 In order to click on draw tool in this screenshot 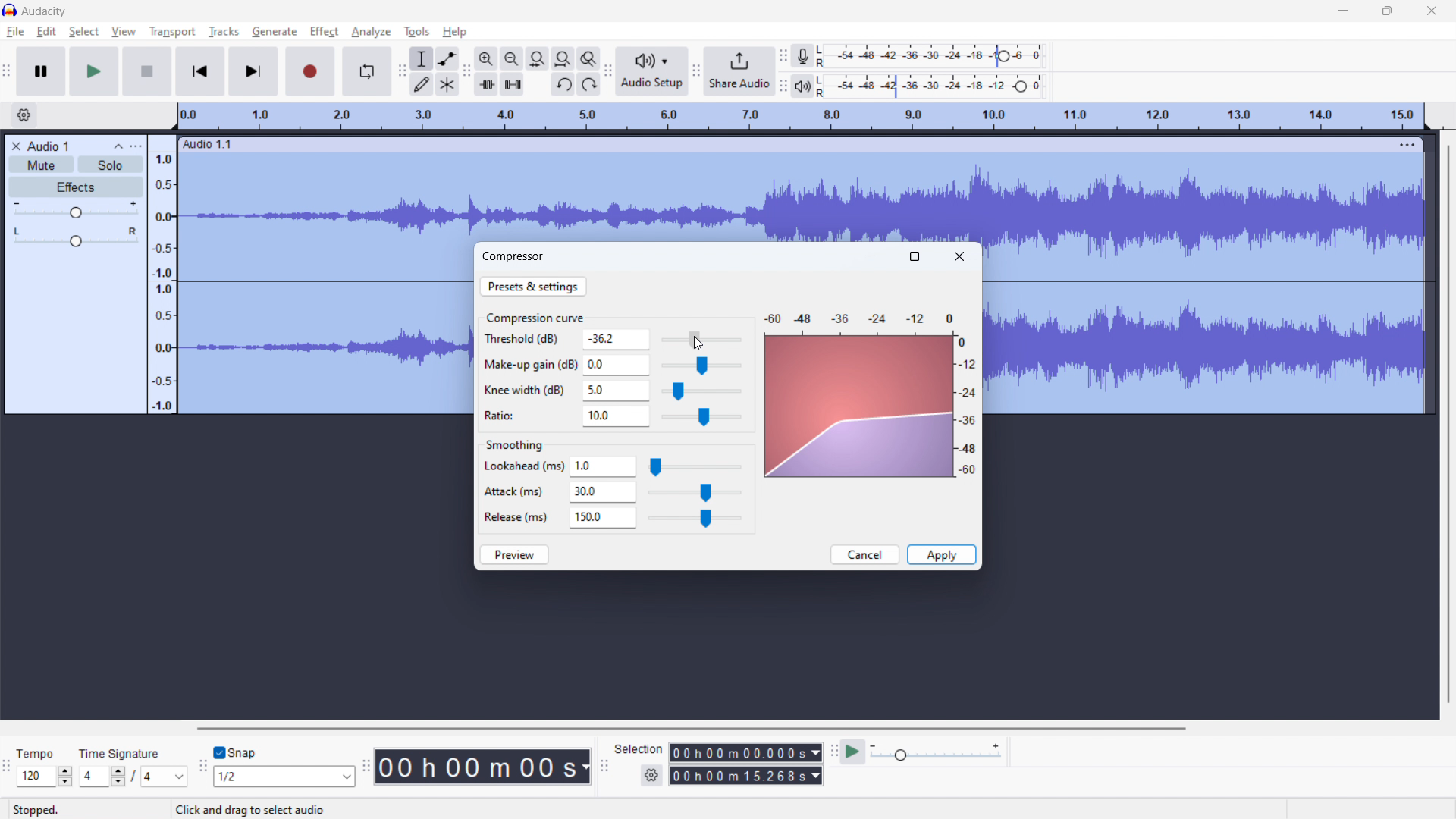, I will do `click(422, 85)`.